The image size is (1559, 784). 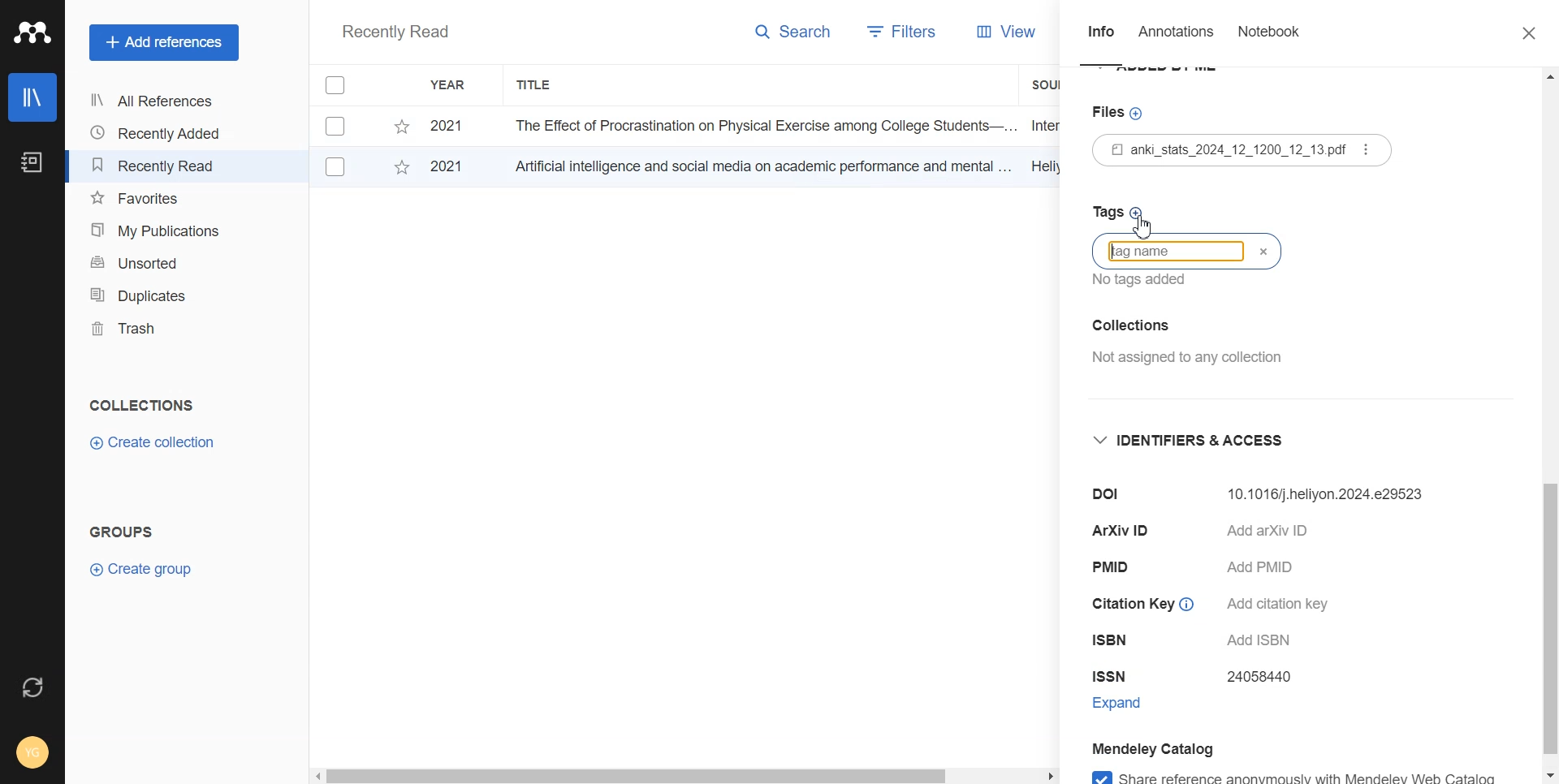 What do you see at coordinates (1184, 349) in the screenshot?
I see `Collection  Not assigned to any collection` at bounding box center [1184, 349].